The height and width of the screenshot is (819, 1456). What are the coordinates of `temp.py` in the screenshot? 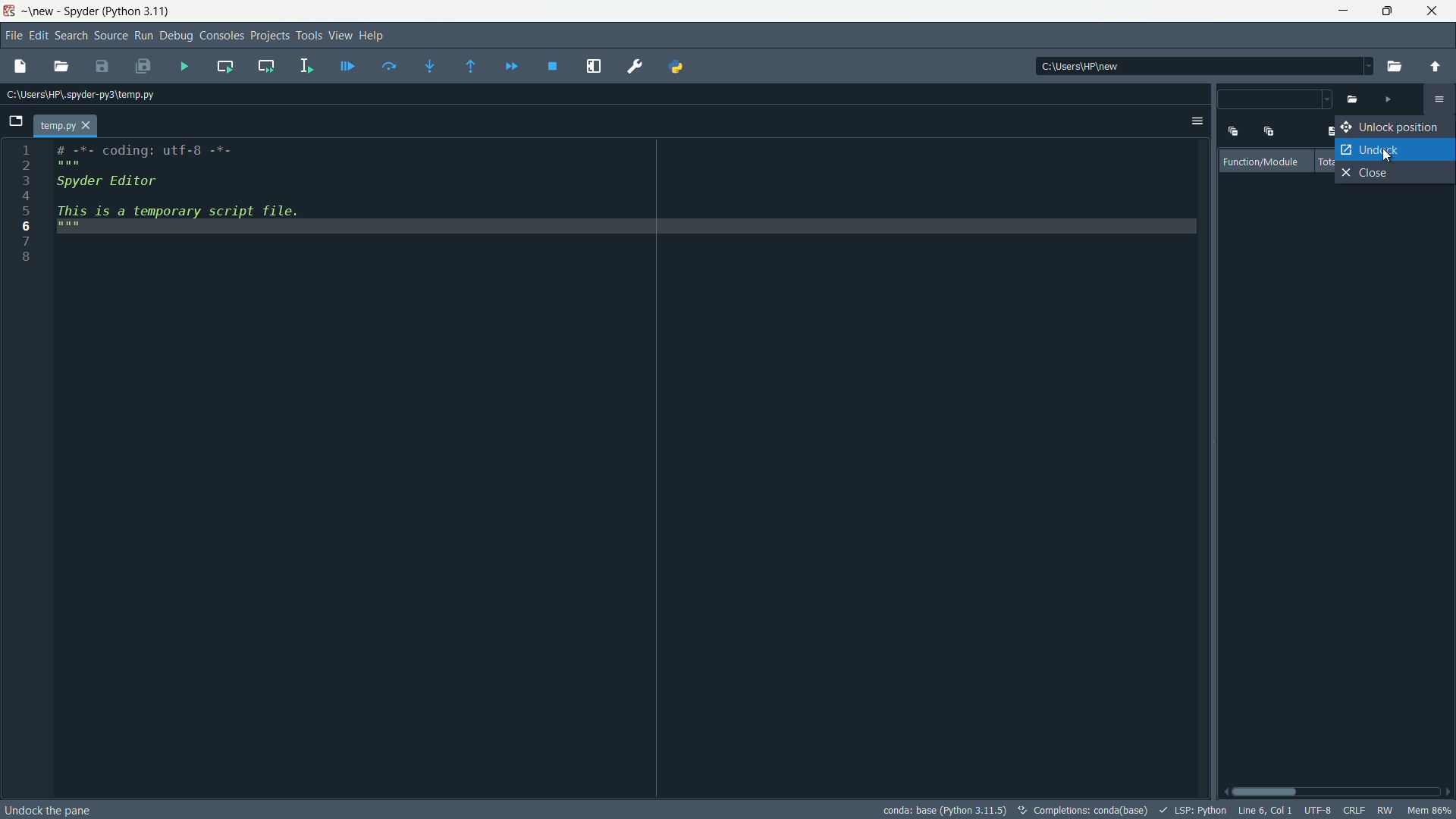 It's located at (67, 126).